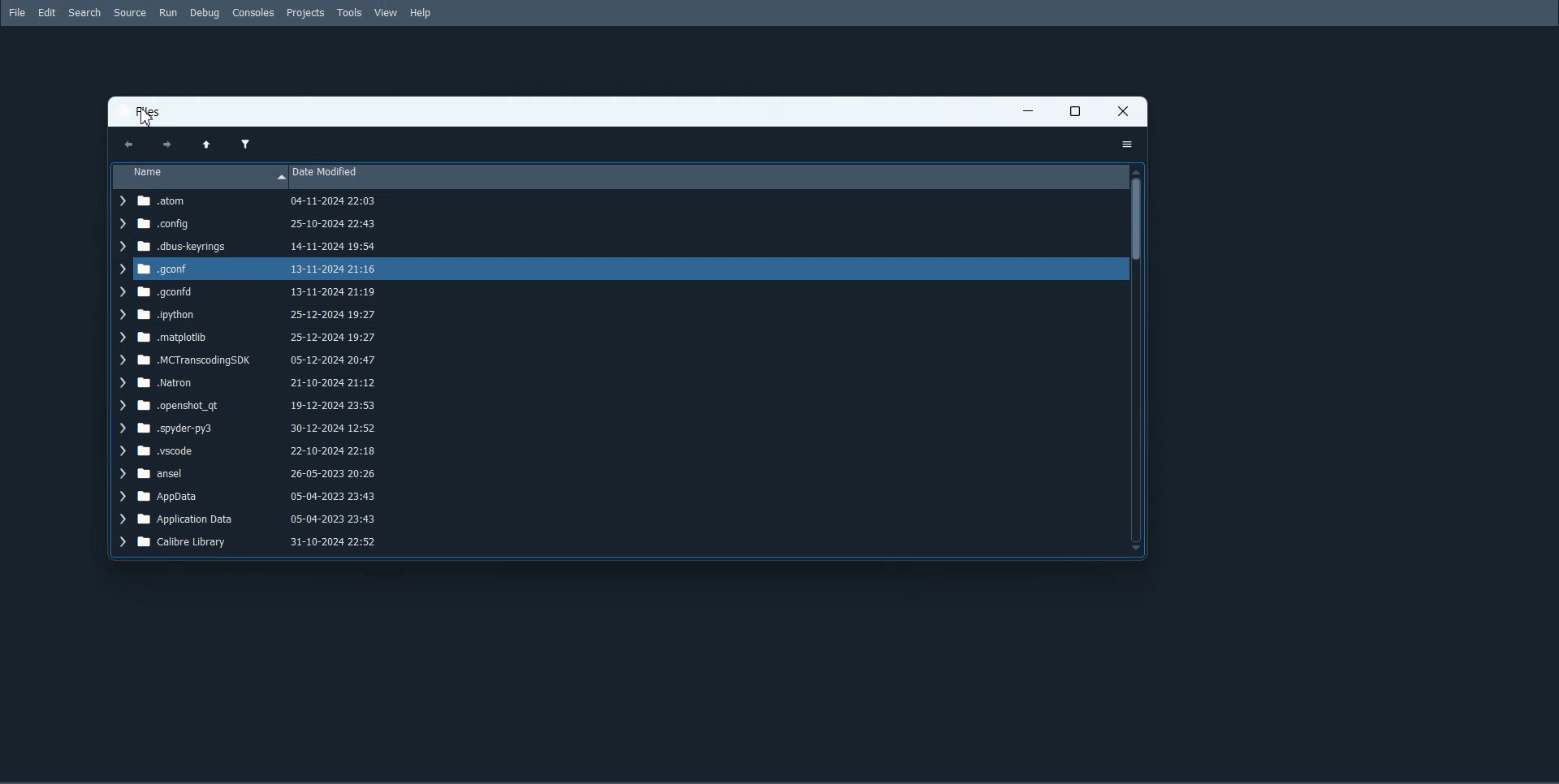  Describe the element at coordinates (249, 338) in the screenshot. I see `matplotiib 25-12-2024 19:27` at that location.